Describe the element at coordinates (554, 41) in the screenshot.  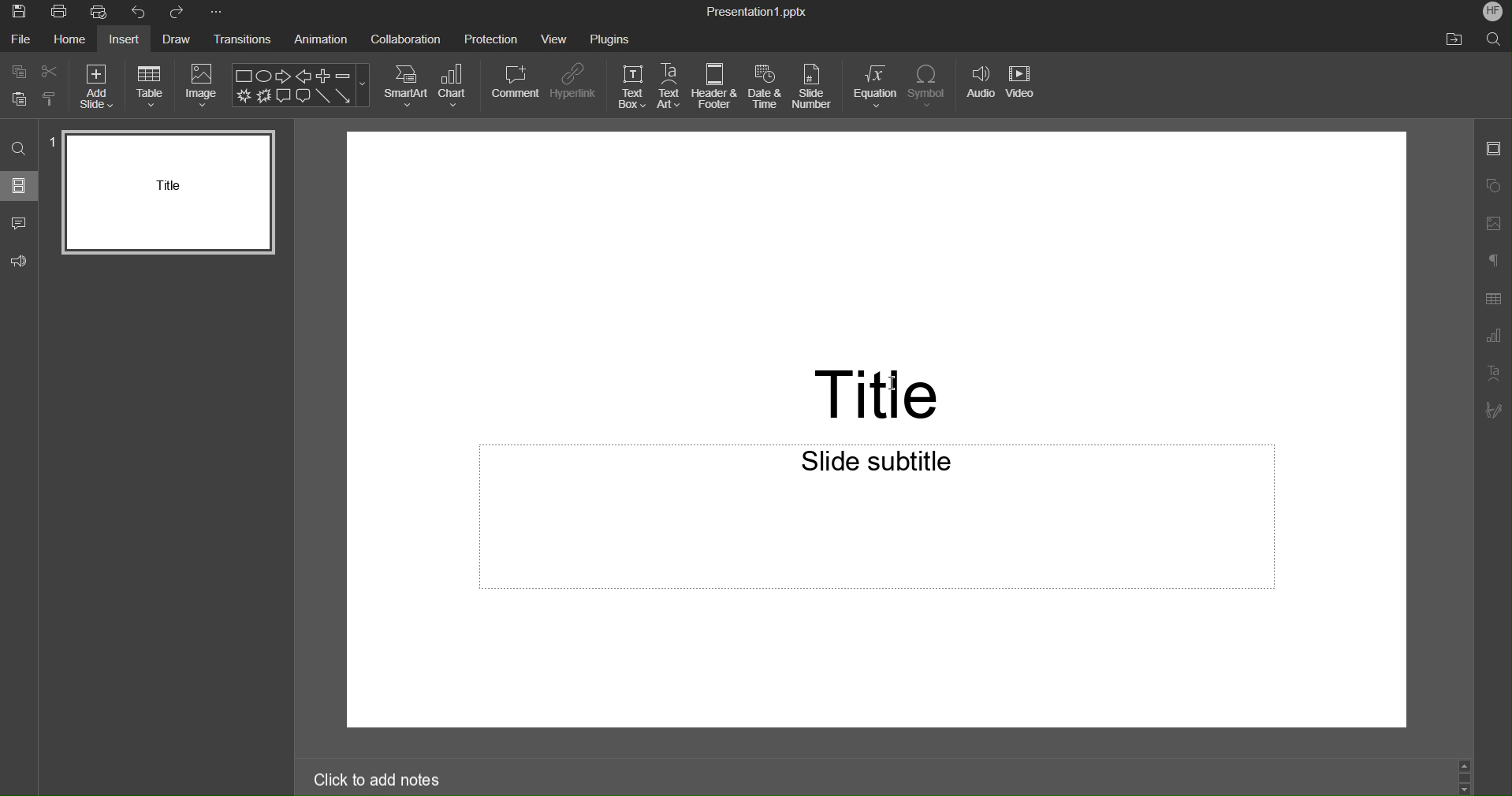
I see `View` at that location.